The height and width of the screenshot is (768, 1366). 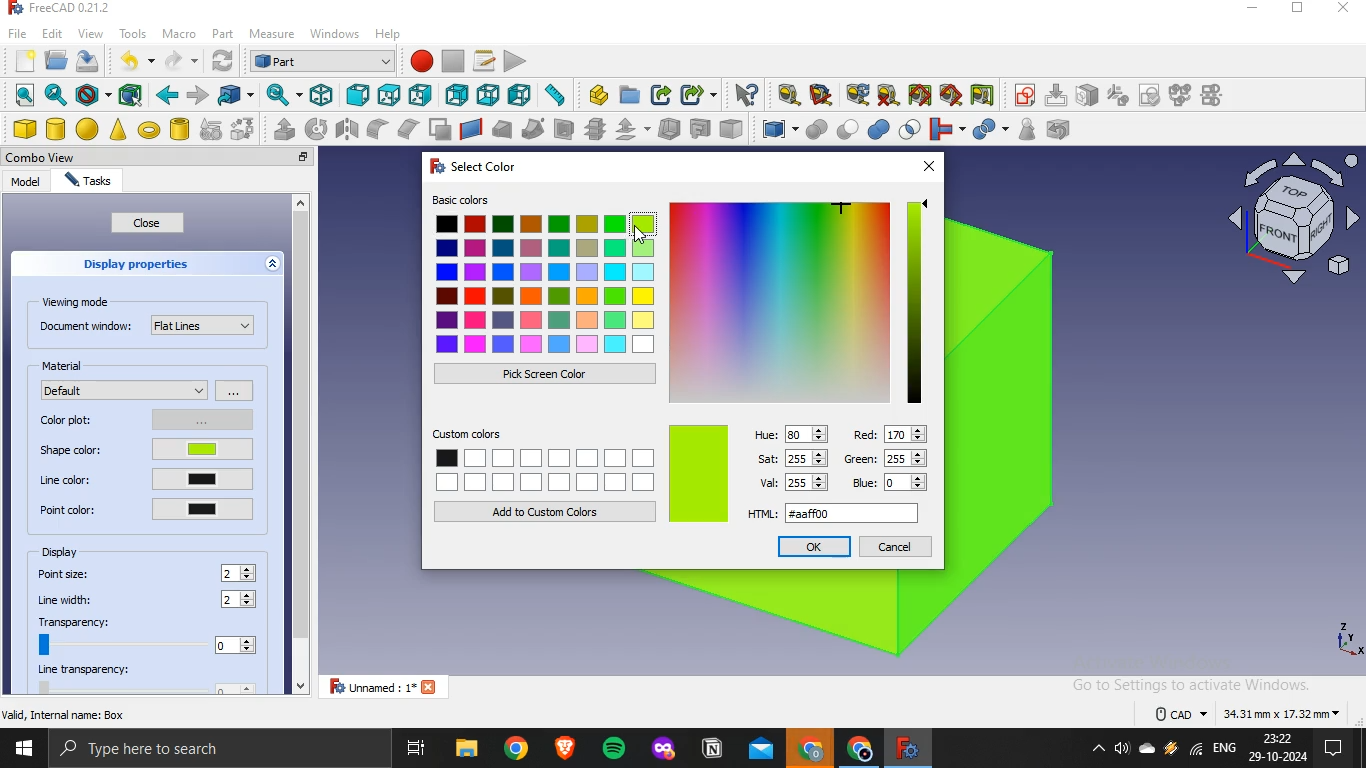 What do you see at coordinates (220, 61) in the screenshot?
I see `refresh` at bounding box center [220, 61].